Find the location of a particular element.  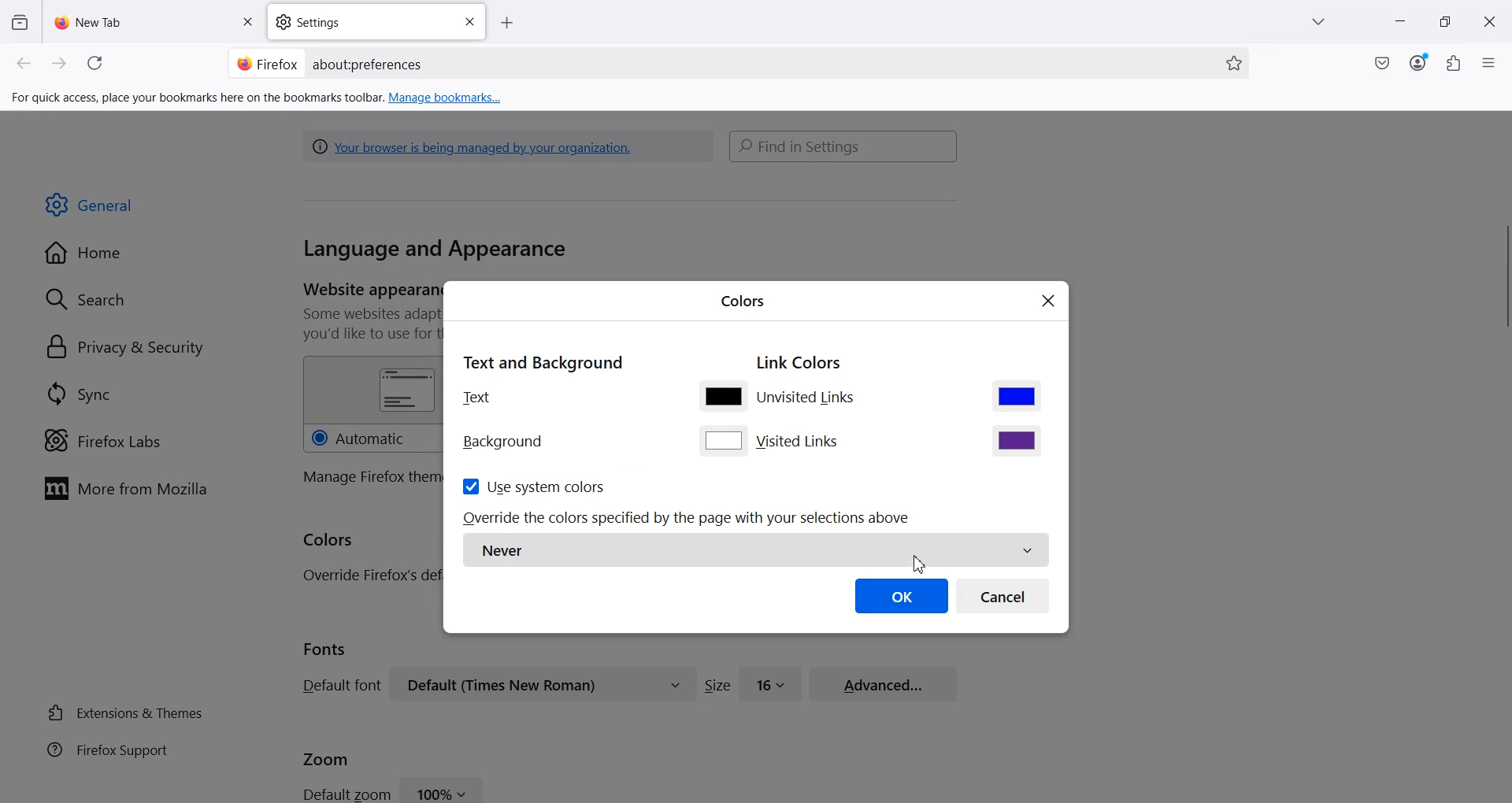

Unvisited Links is located at coordinates (809, 399).